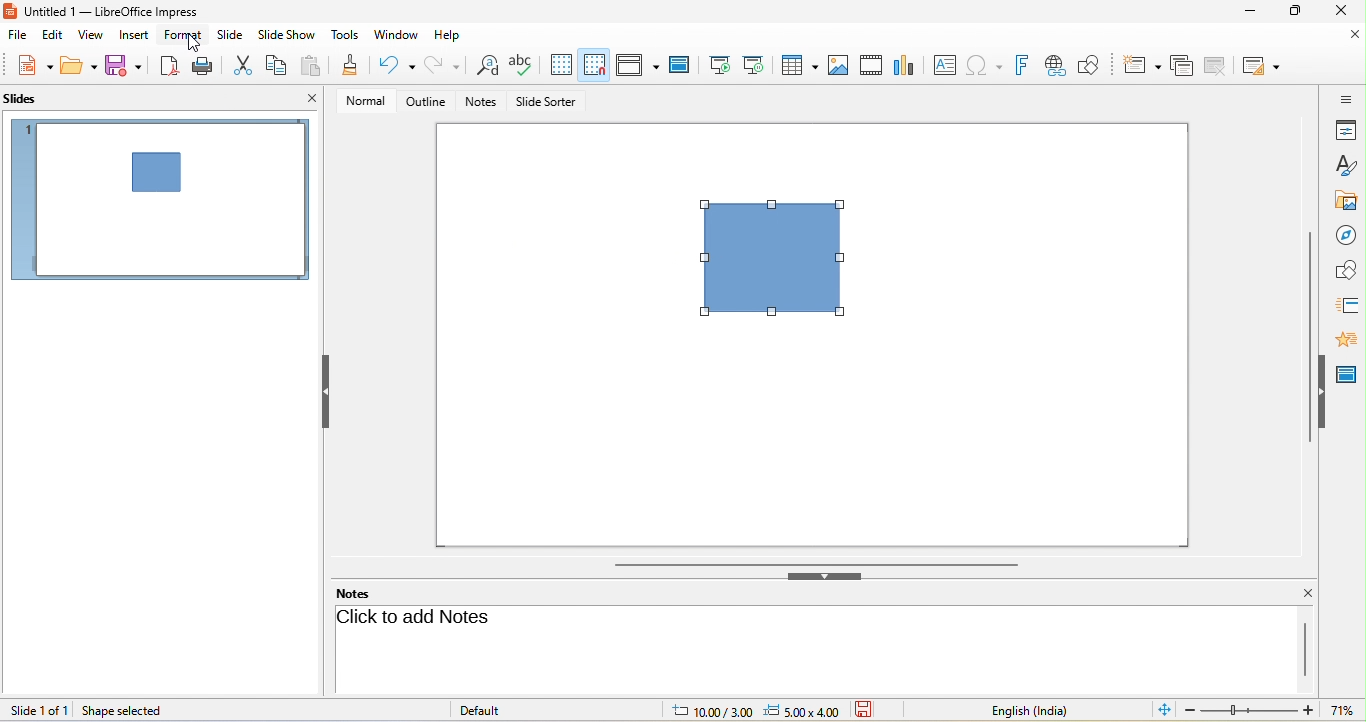 The height and width of the screenshot is (722, 1366). What do you see at coordinates (946, 64) in the screenshot?
I see `text box` at bounding box center [946, 64].